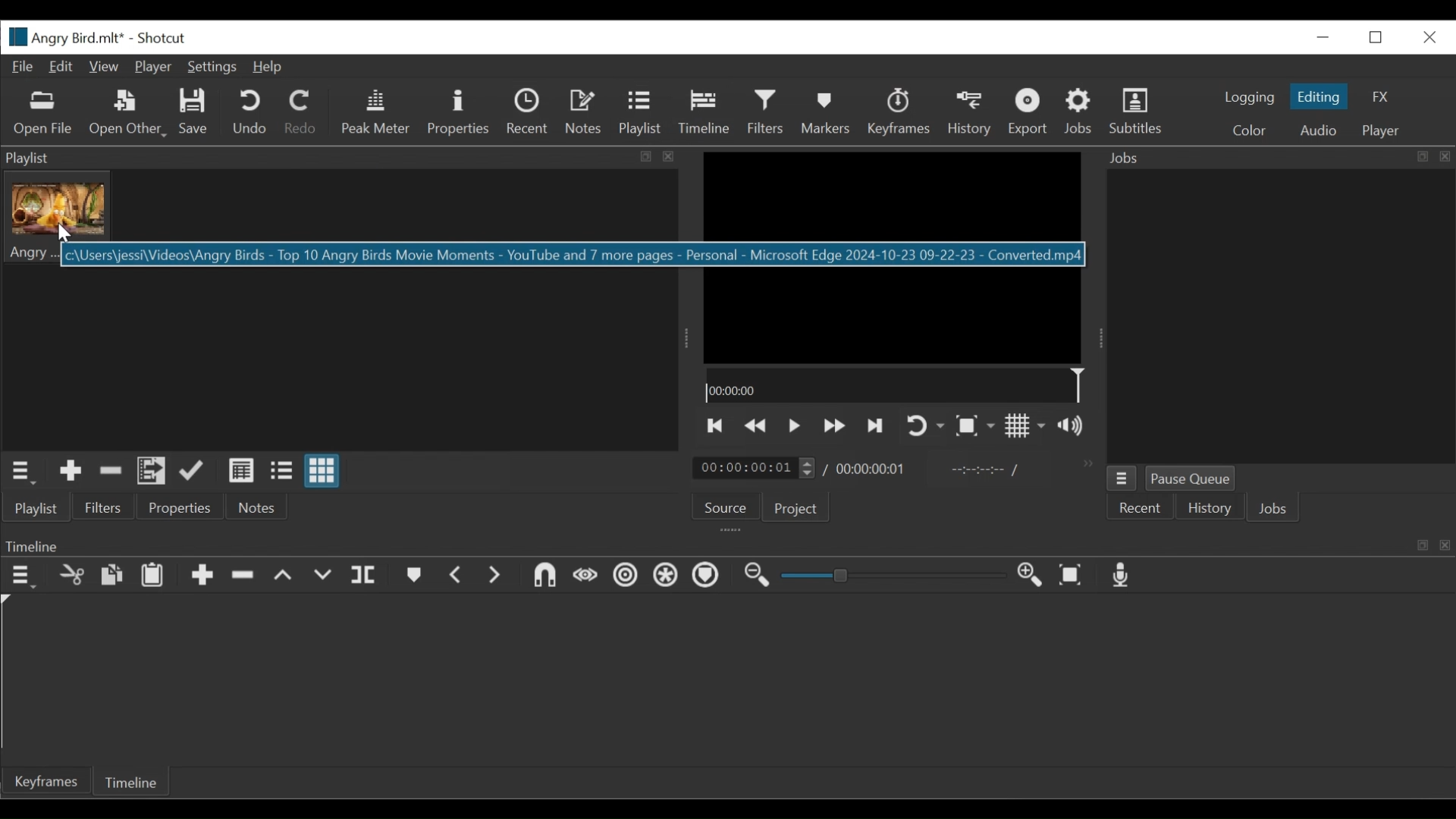 Image resolution: width=1456 pixels, height=819 pixels. What do you see at coordinates (1026, 426) in the screenshot?
I see `Toggle display grid on player` at bounding box center [1026, 426].